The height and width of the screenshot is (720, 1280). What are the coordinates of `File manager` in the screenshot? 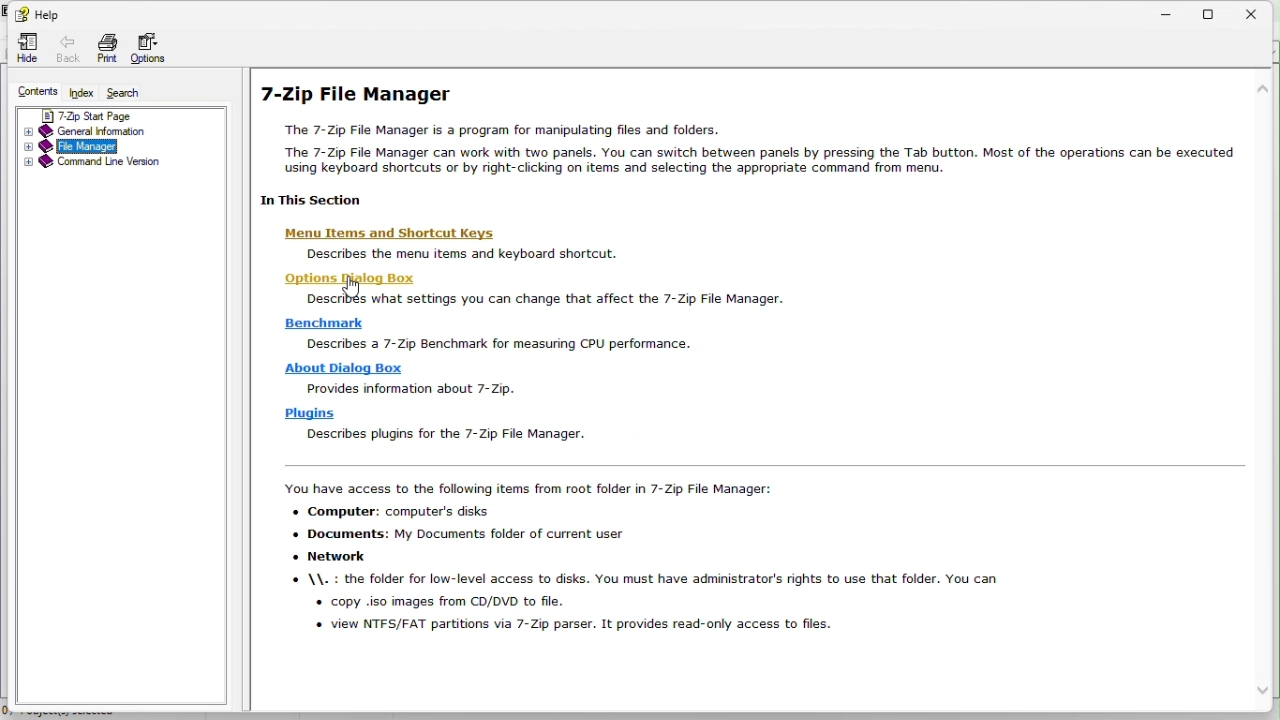 It's located at (76, 147).